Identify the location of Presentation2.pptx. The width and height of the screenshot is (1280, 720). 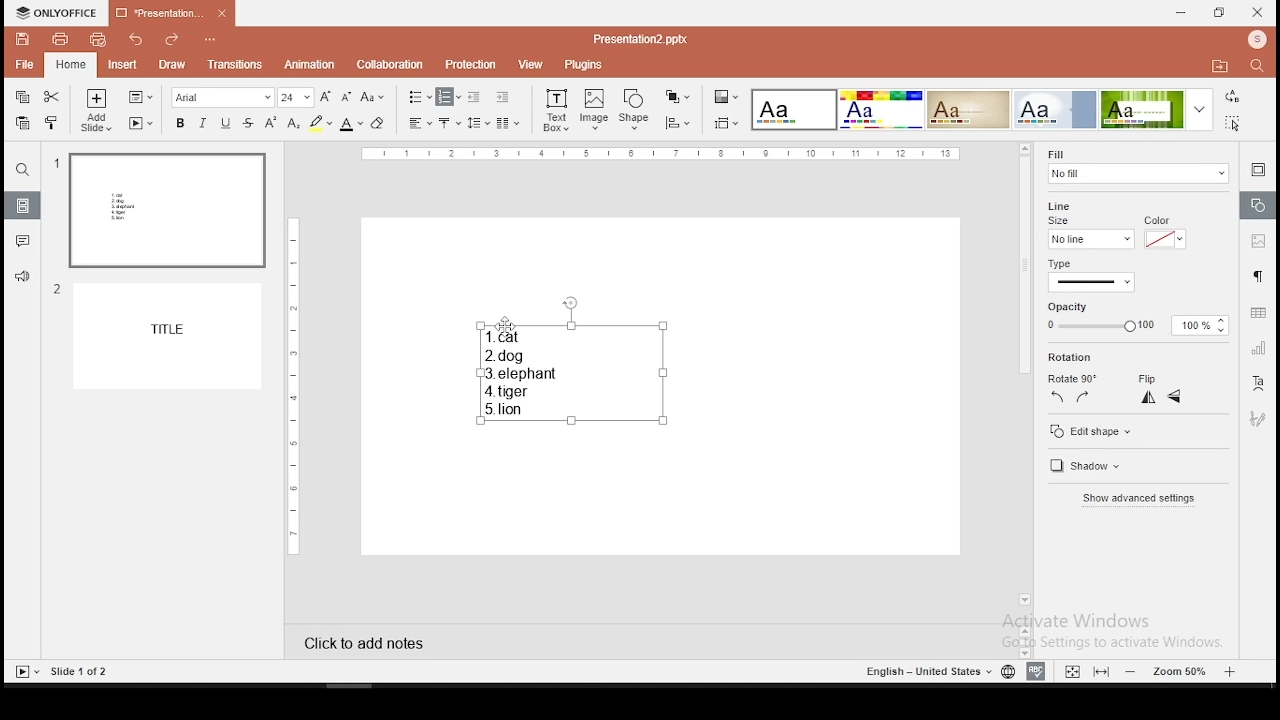
(647, 39).